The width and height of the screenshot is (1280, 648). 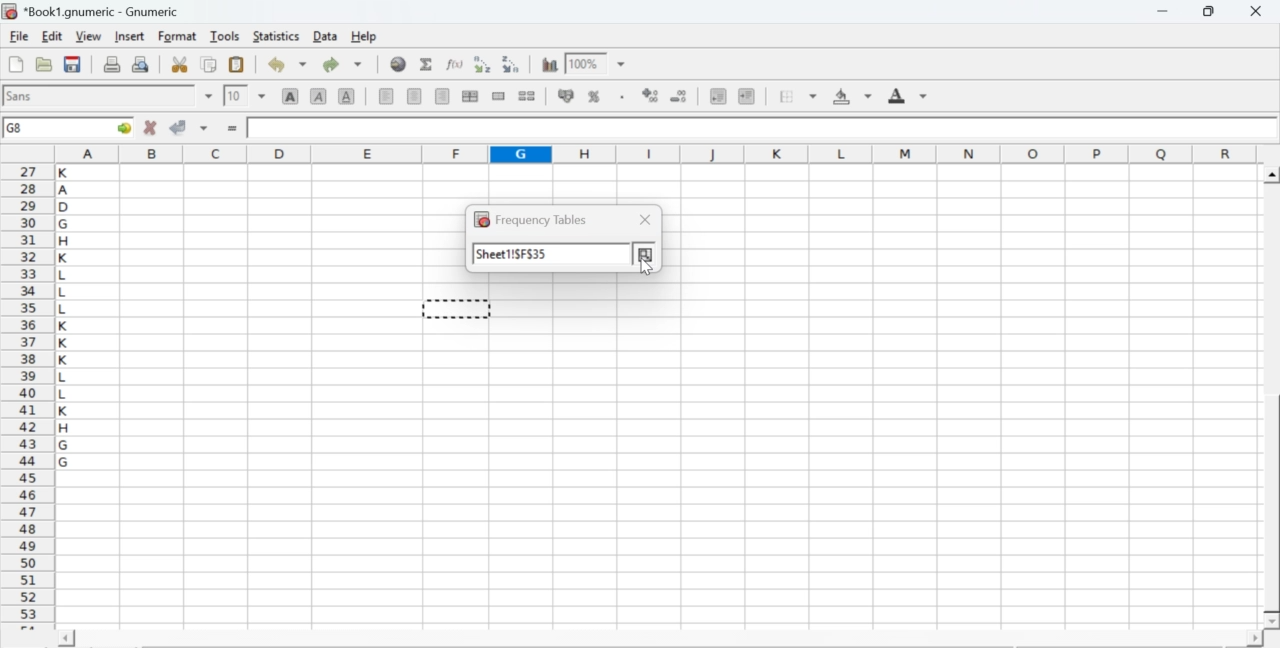 I want to click on underline, so click(x=347, y=95).